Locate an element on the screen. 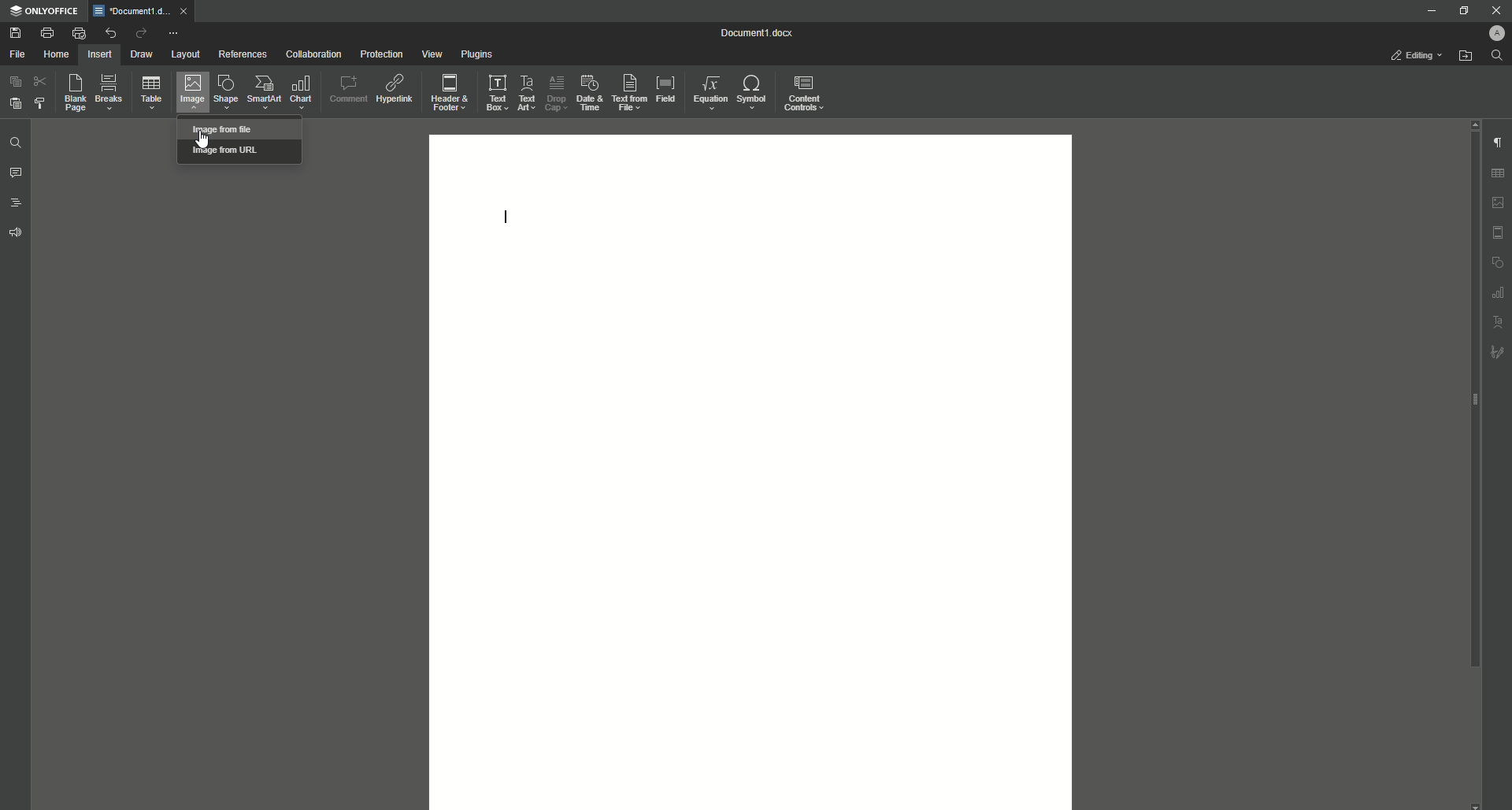  Headings is located at coordinates (20, 204).